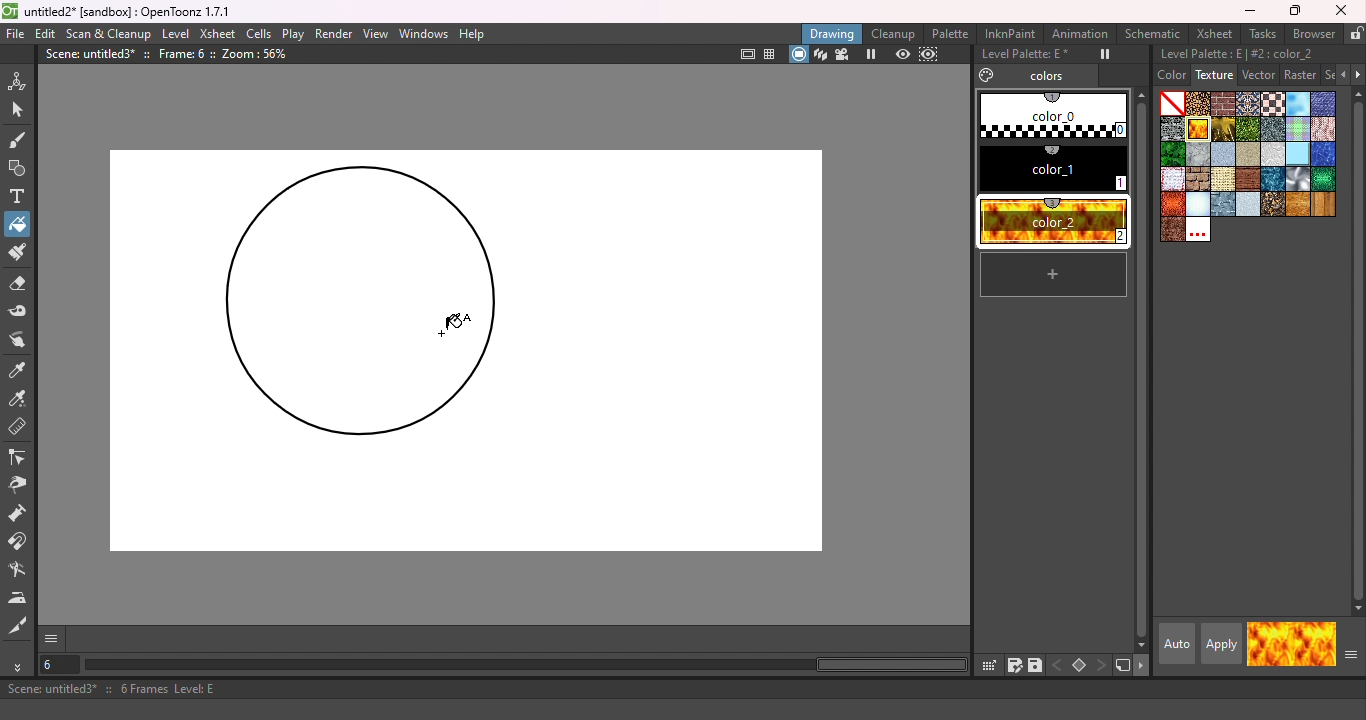 The image size is (1366, 720). What do you see at coordinates (988, 665) in the screenshot?
I see `click & drag palette into studio palette` at bounding box center [988, 665].